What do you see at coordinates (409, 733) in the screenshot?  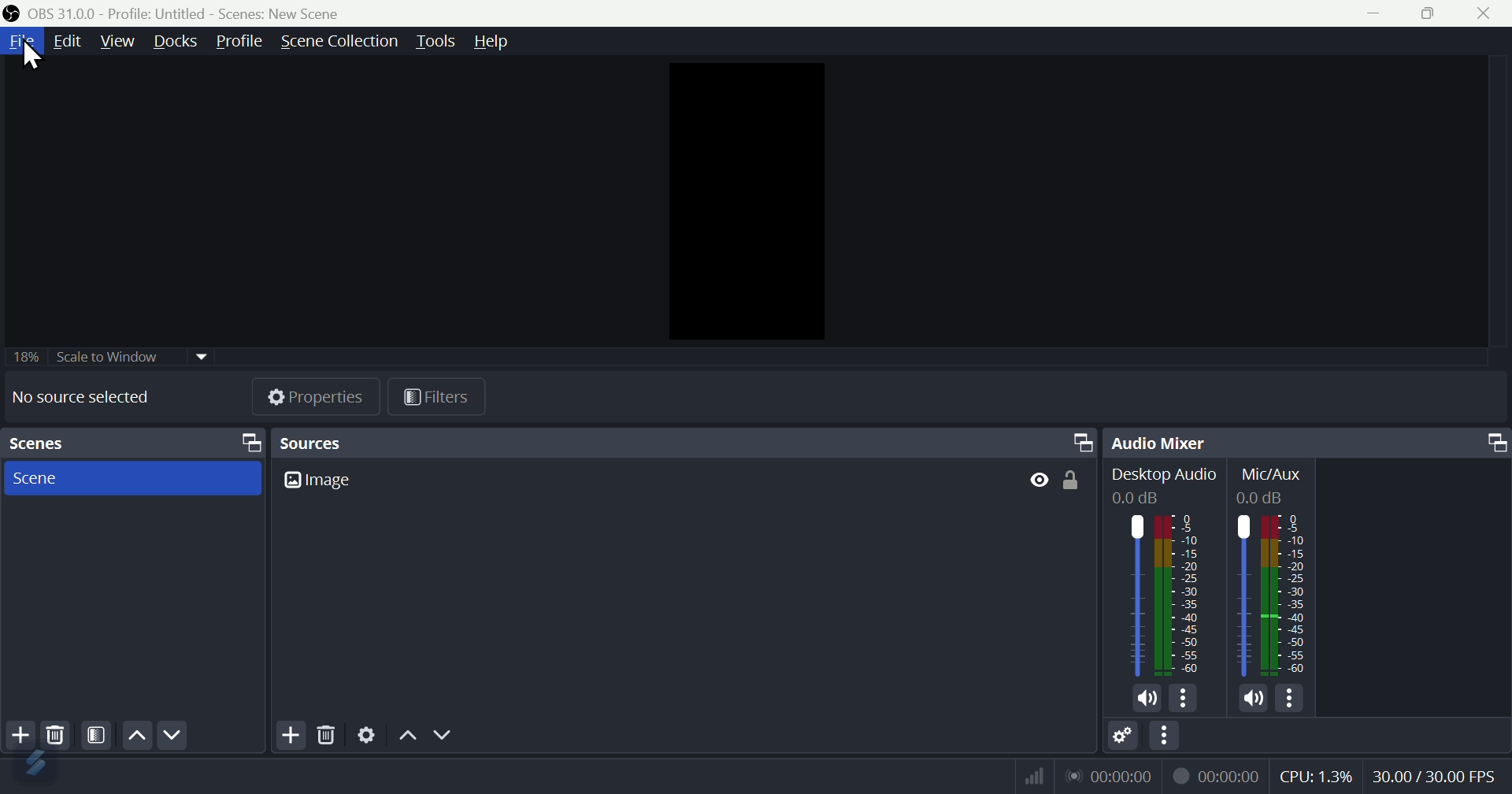 I see `Up` at bounding box center [409, 733].